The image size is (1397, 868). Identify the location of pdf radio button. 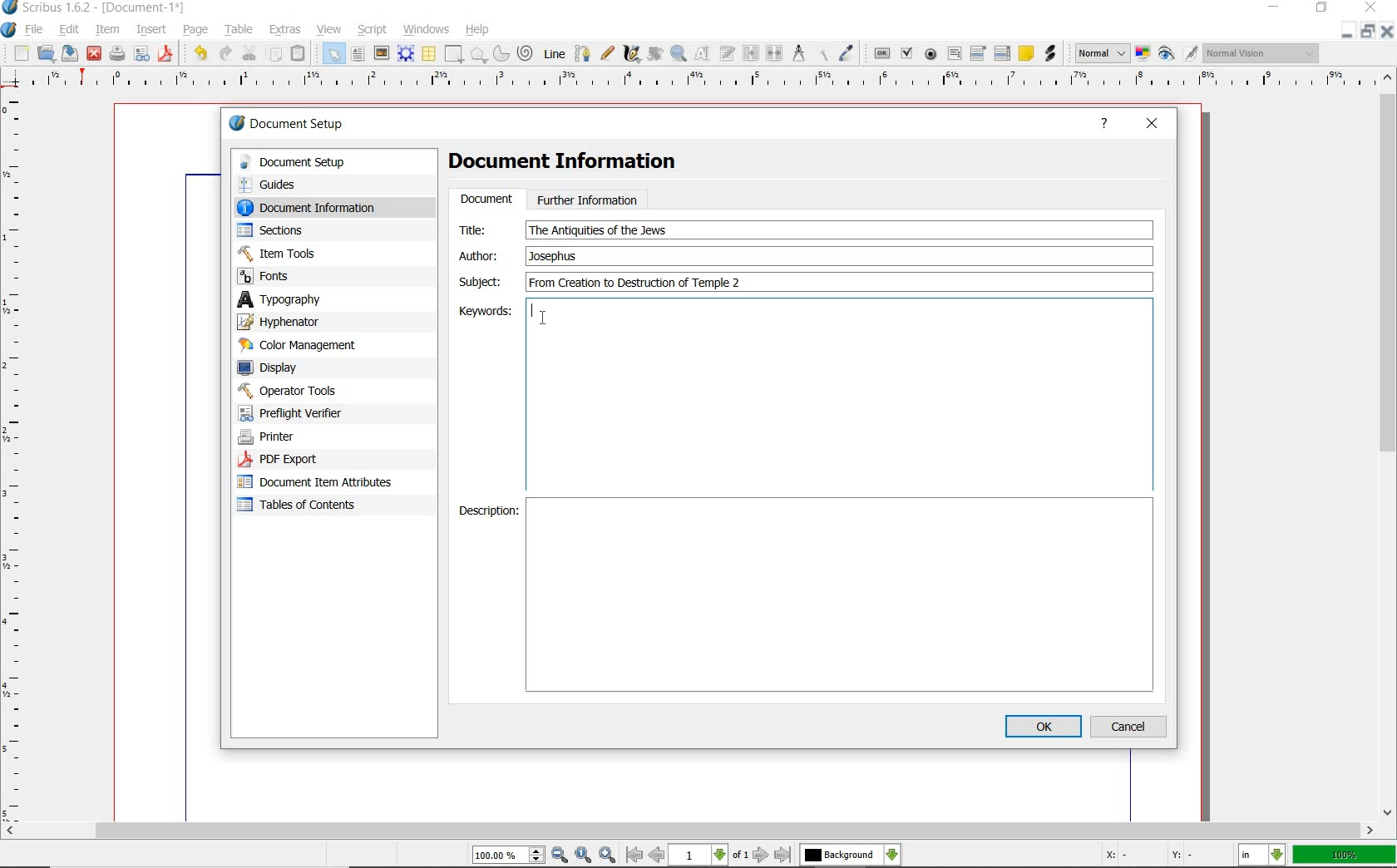
(931, 54).